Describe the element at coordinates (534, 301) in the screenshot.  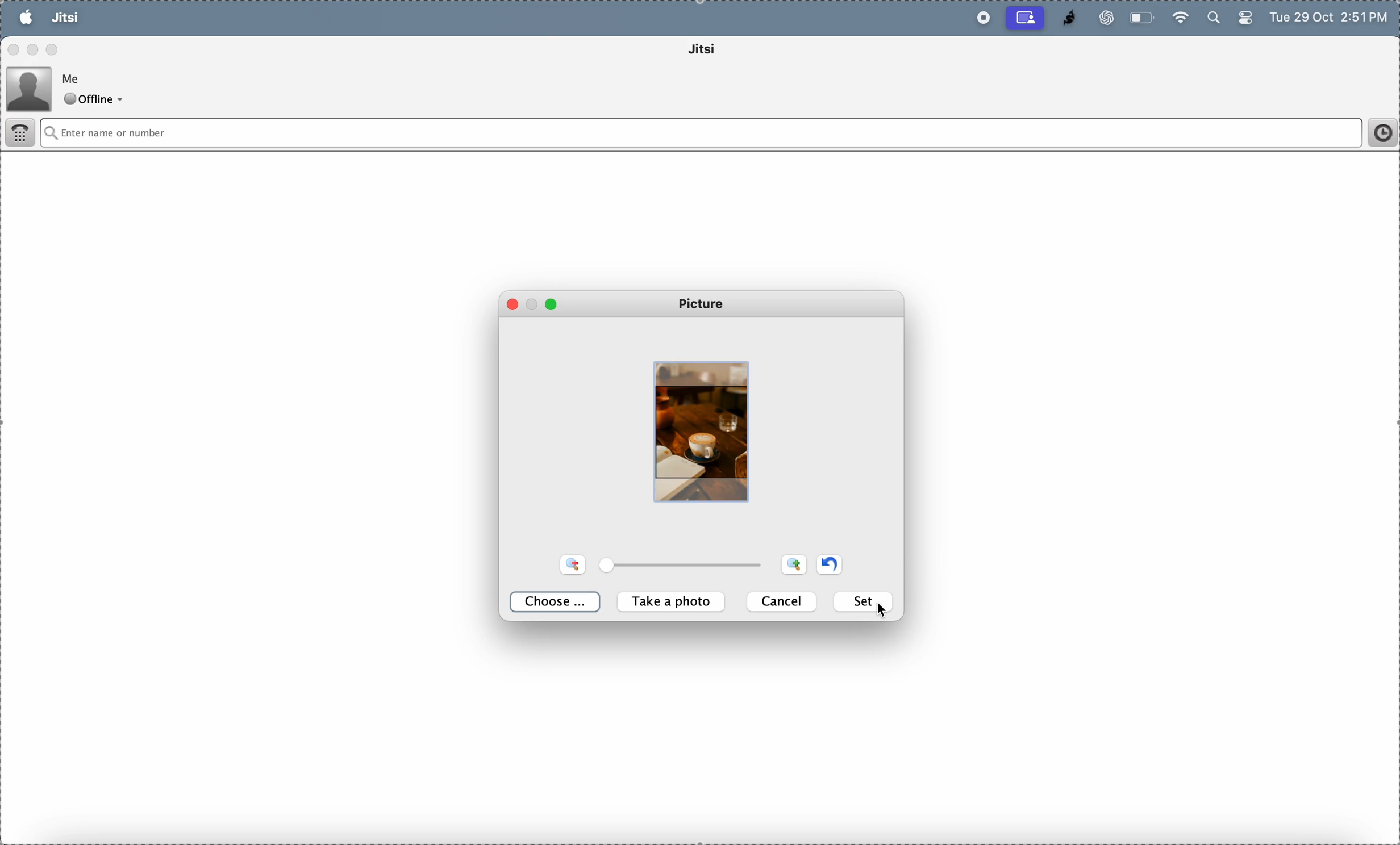
I see `minimise` at that location.